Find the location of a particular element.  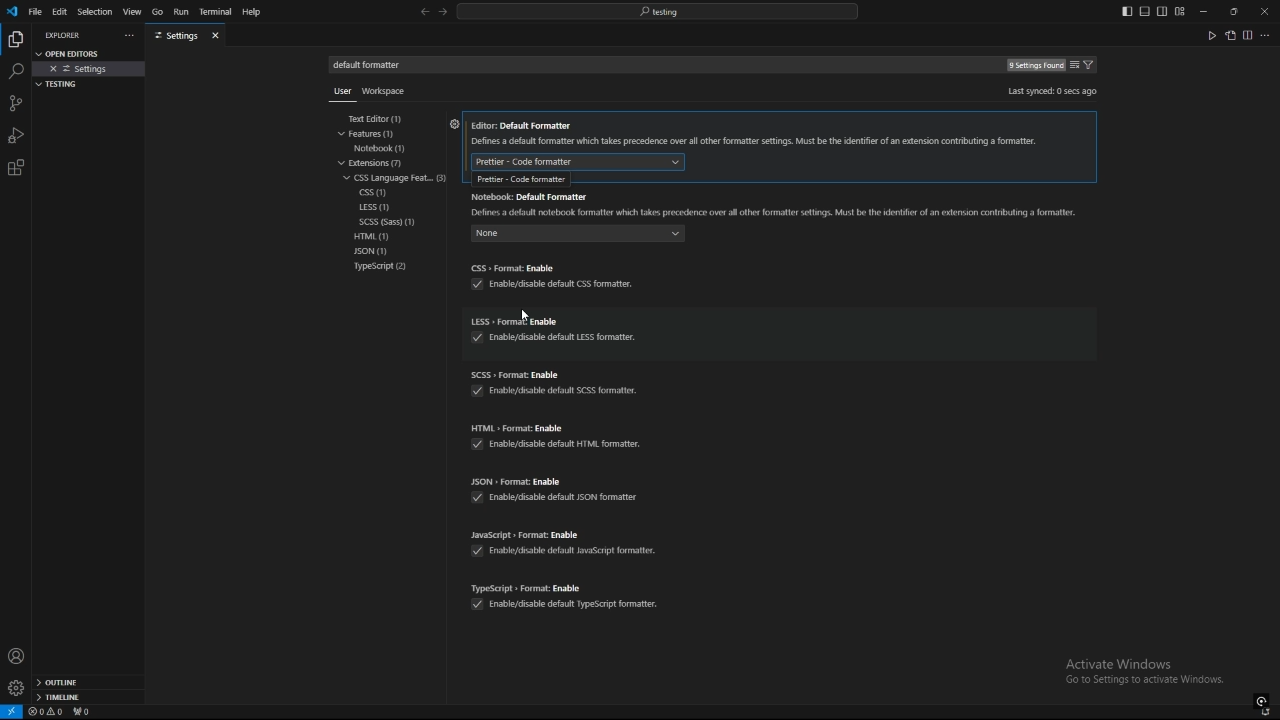

css language feature is located at coordinates (398, 177).